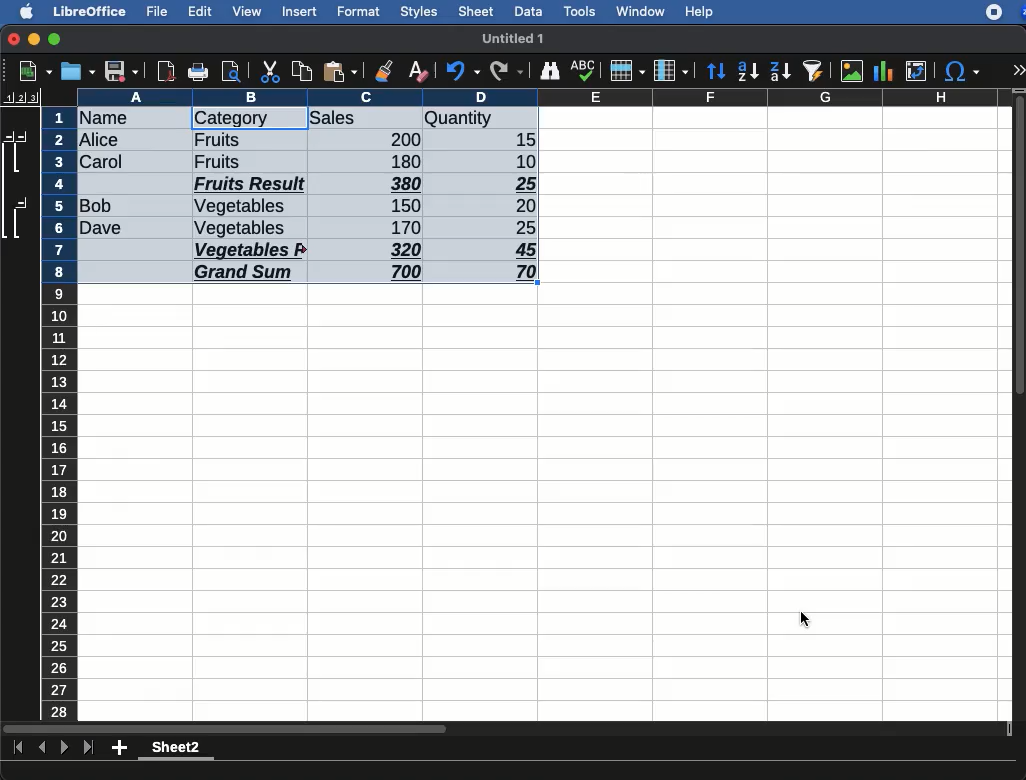  What do you see at coordinates (1021, 404) in the screenshot?
I see `scroll` at bounding box center [1021, 404].